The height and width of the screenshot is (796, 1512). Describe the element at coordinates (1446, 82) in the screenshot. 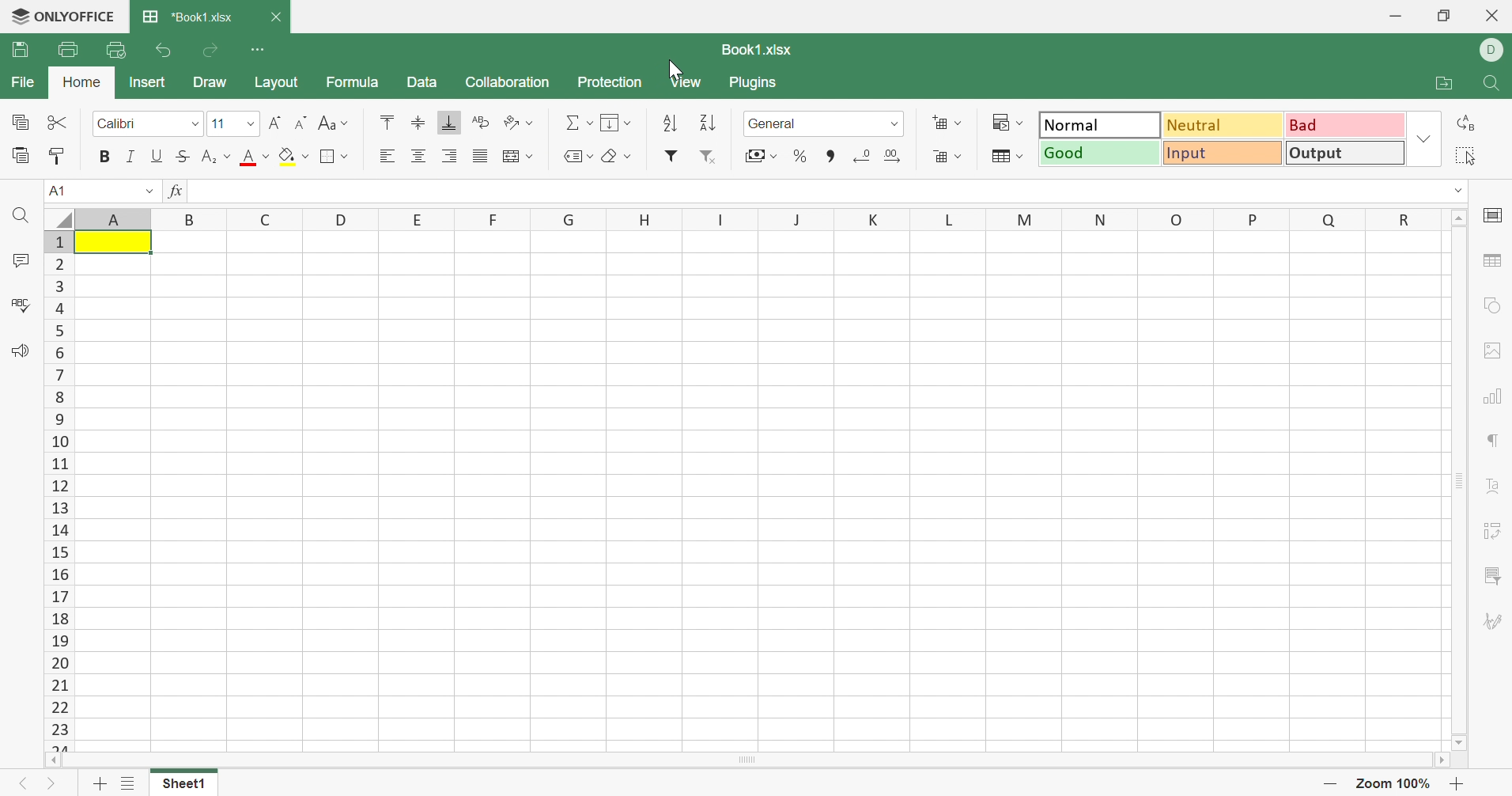

I see `Open file location` at that location.